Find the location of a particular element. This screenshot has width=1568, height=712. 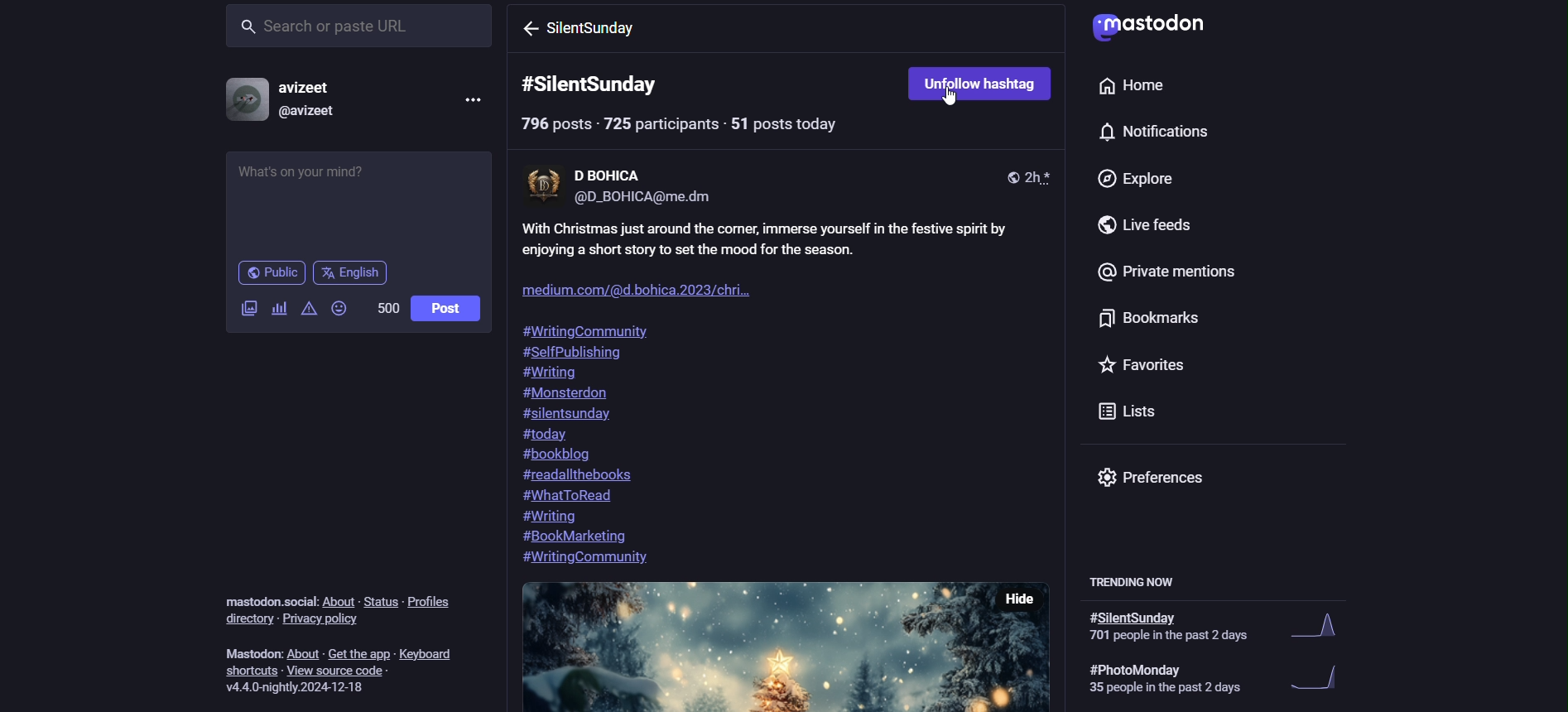

'mastodon.social is located at coordinates (267, 600).